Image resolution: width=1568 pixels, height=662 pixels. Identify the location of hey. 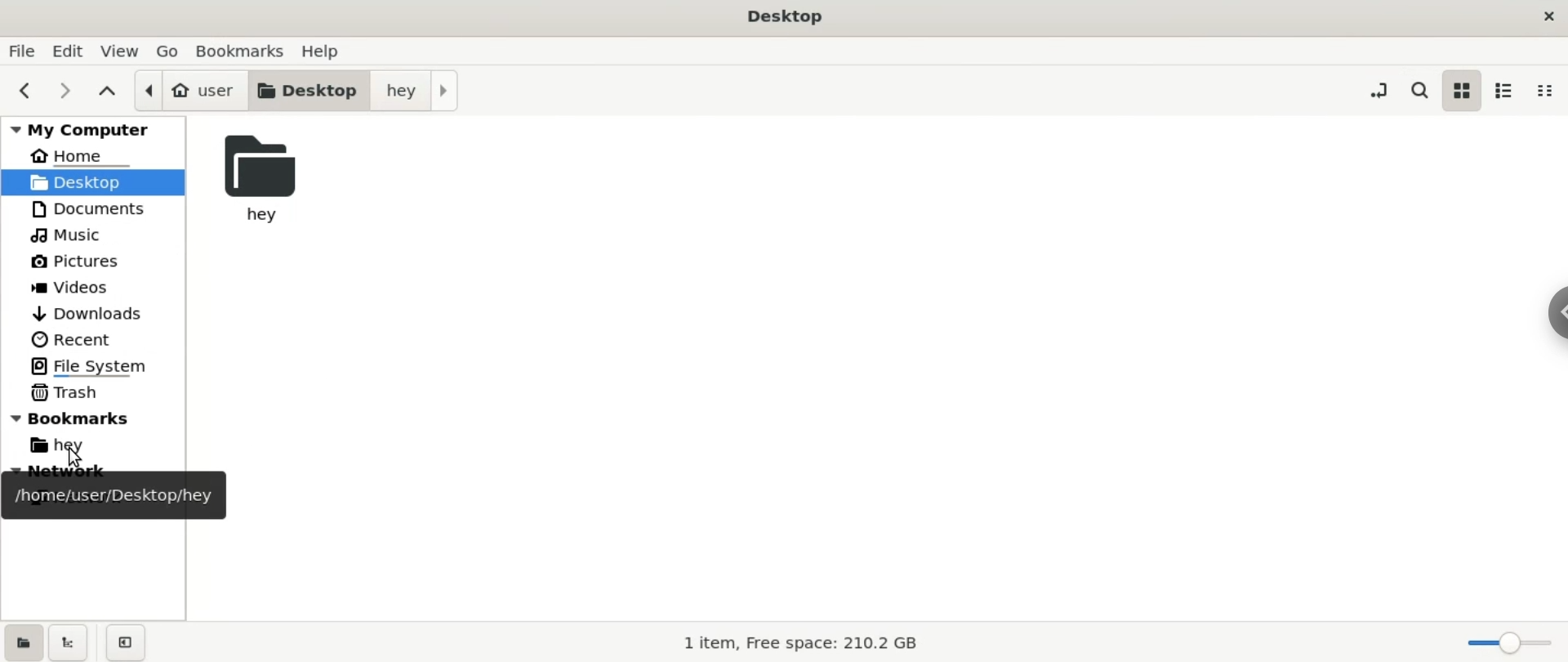
(72, 449).